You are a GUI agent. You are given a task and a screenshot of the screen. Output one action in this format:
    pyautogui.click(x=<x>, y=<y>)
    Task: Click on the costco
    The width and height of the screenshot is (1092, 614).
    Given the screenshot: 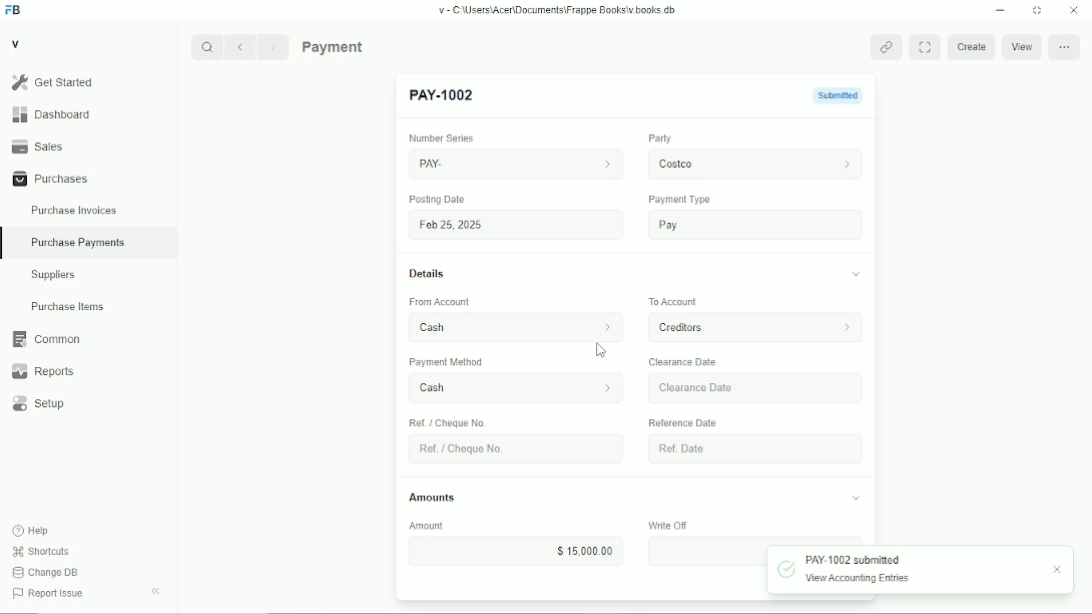 What is the action you would take?
    pyautogui.click(x=751, y=162)
    